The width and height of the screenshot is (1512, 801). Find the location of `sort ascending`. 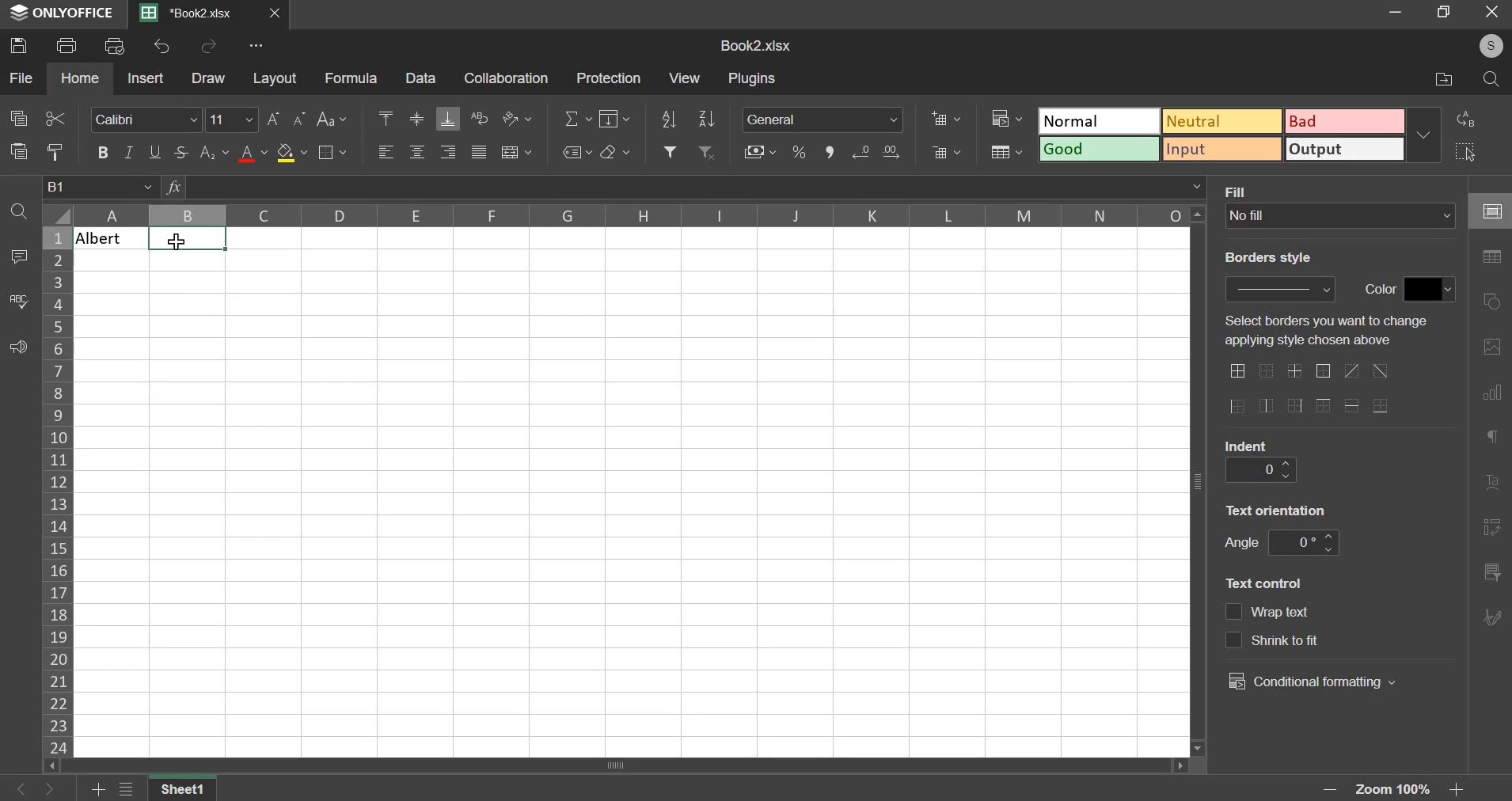

sort ascending is located at coordinates (669, 119).